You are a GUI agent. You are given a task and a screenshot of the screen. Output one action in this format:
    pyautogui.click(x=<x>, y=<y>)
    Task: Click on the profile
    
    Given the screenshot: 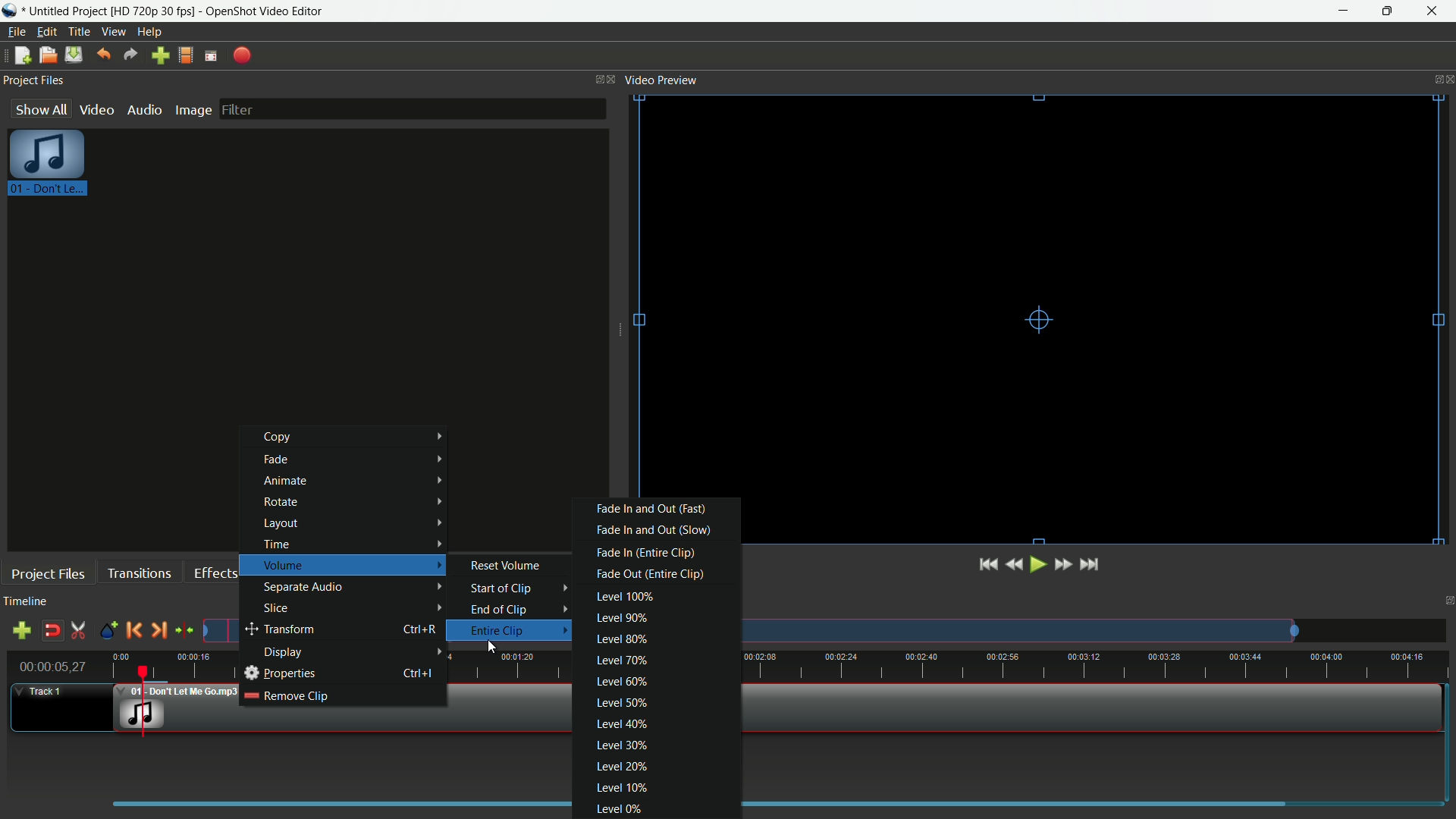 What is the action you would take?
    pyautogui.click(x=153, y=11)
    